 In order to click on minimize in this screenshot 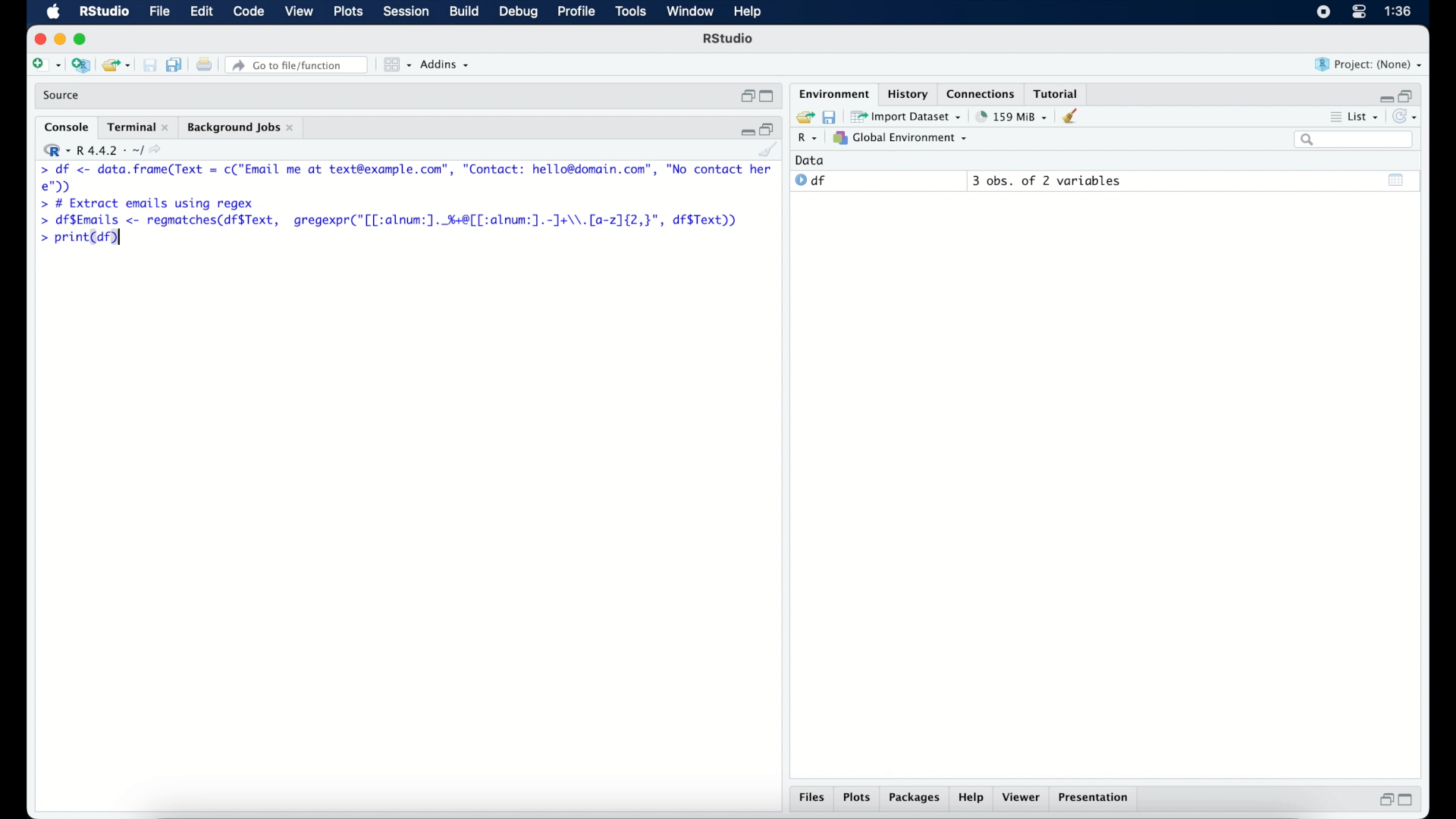, I will do `click(59, 40)`.